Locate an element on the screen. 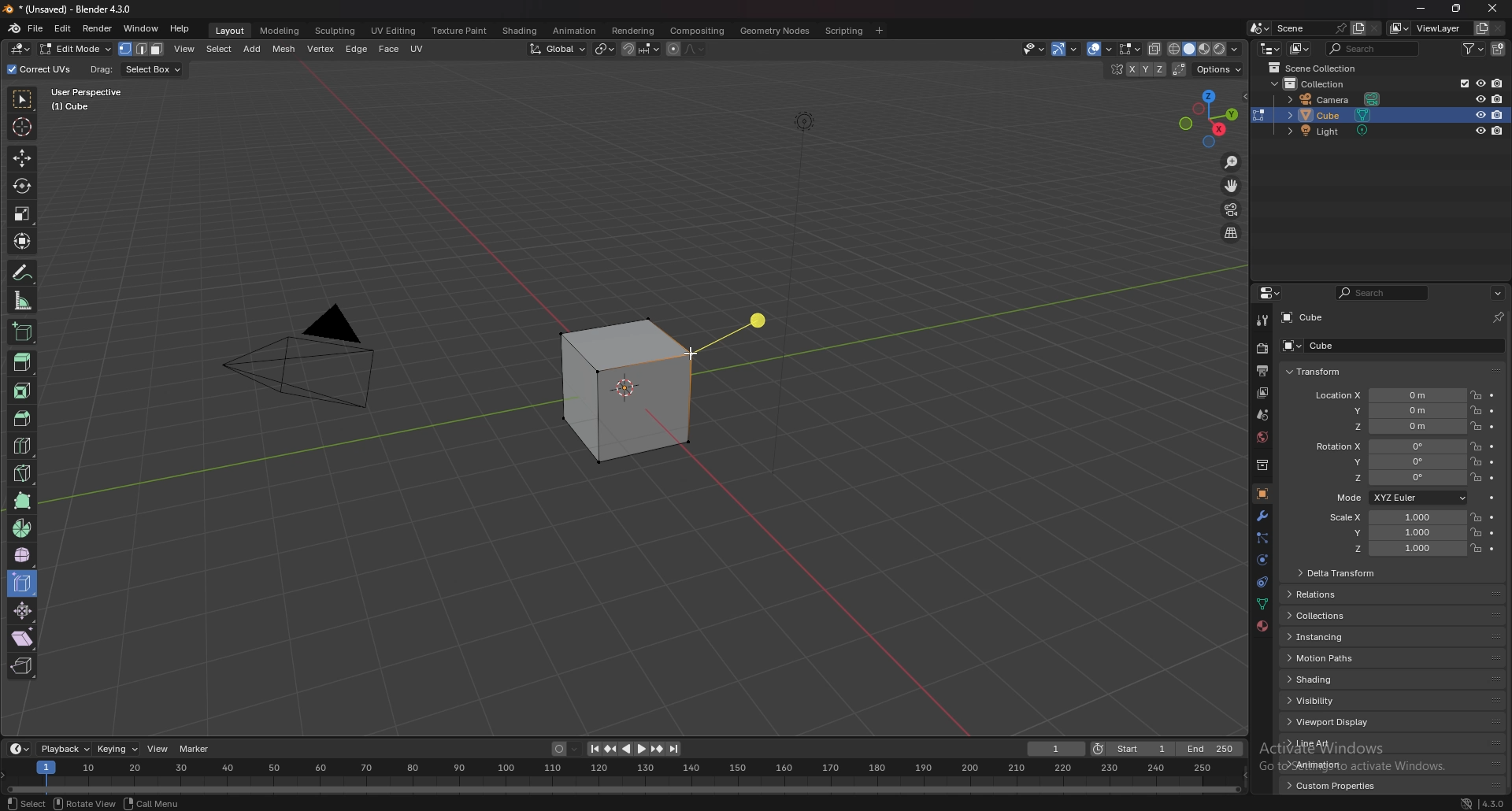 The image size is (1512, 811). show gizmo is located at coordinates (1092, 49).